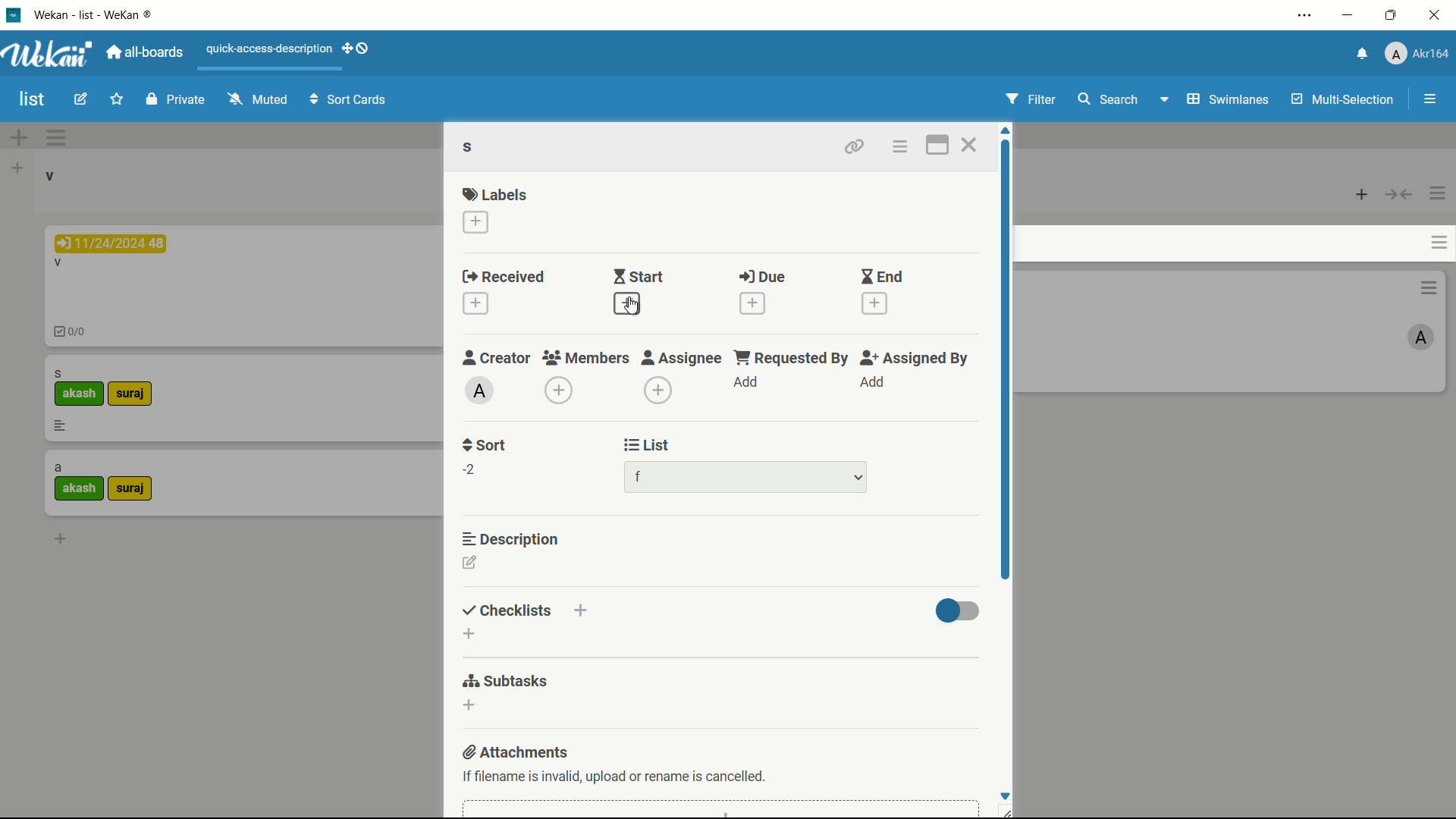 The width and height of the screenshot is (1456, 819). I want to click on -2, so click(472, 469).